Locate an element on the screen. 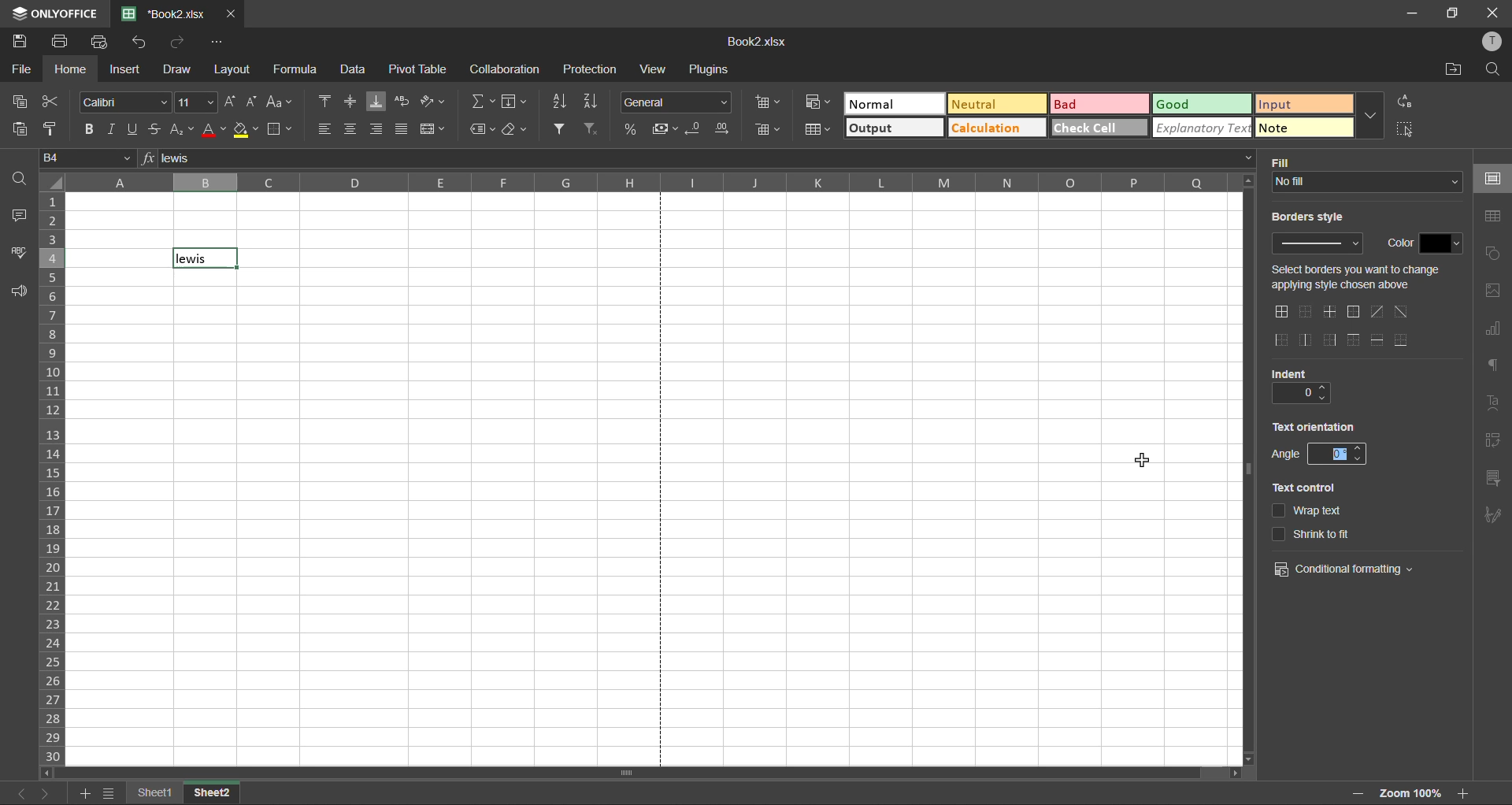 Image resolution: width=1512 pixels, height=805 pixels. sheet list is located at coordinates (111, 793).